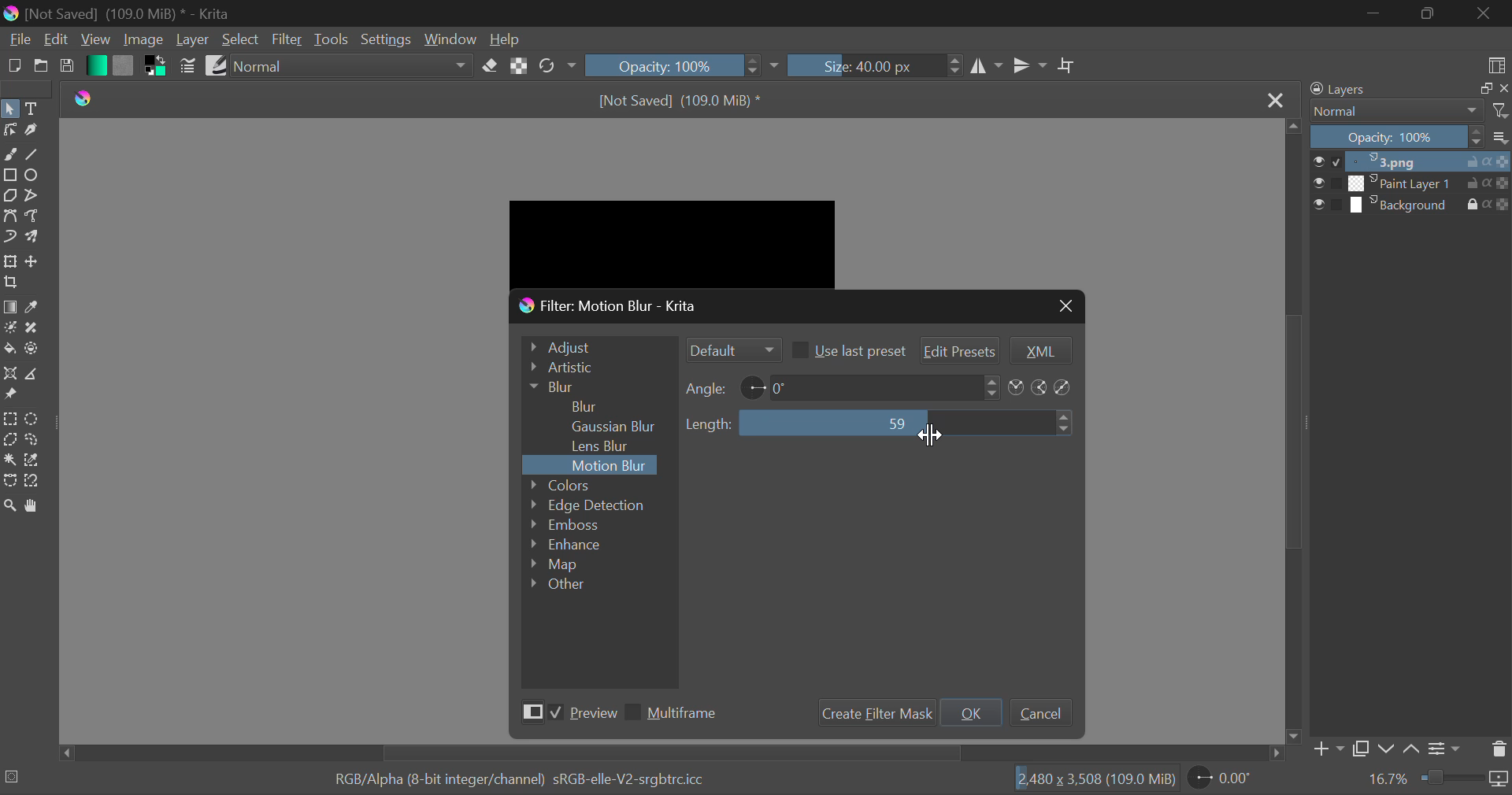  What do you see at coordinates (35, 307) in the screenshot?
I see `Eyedropper` at bounding box center [35, 307].